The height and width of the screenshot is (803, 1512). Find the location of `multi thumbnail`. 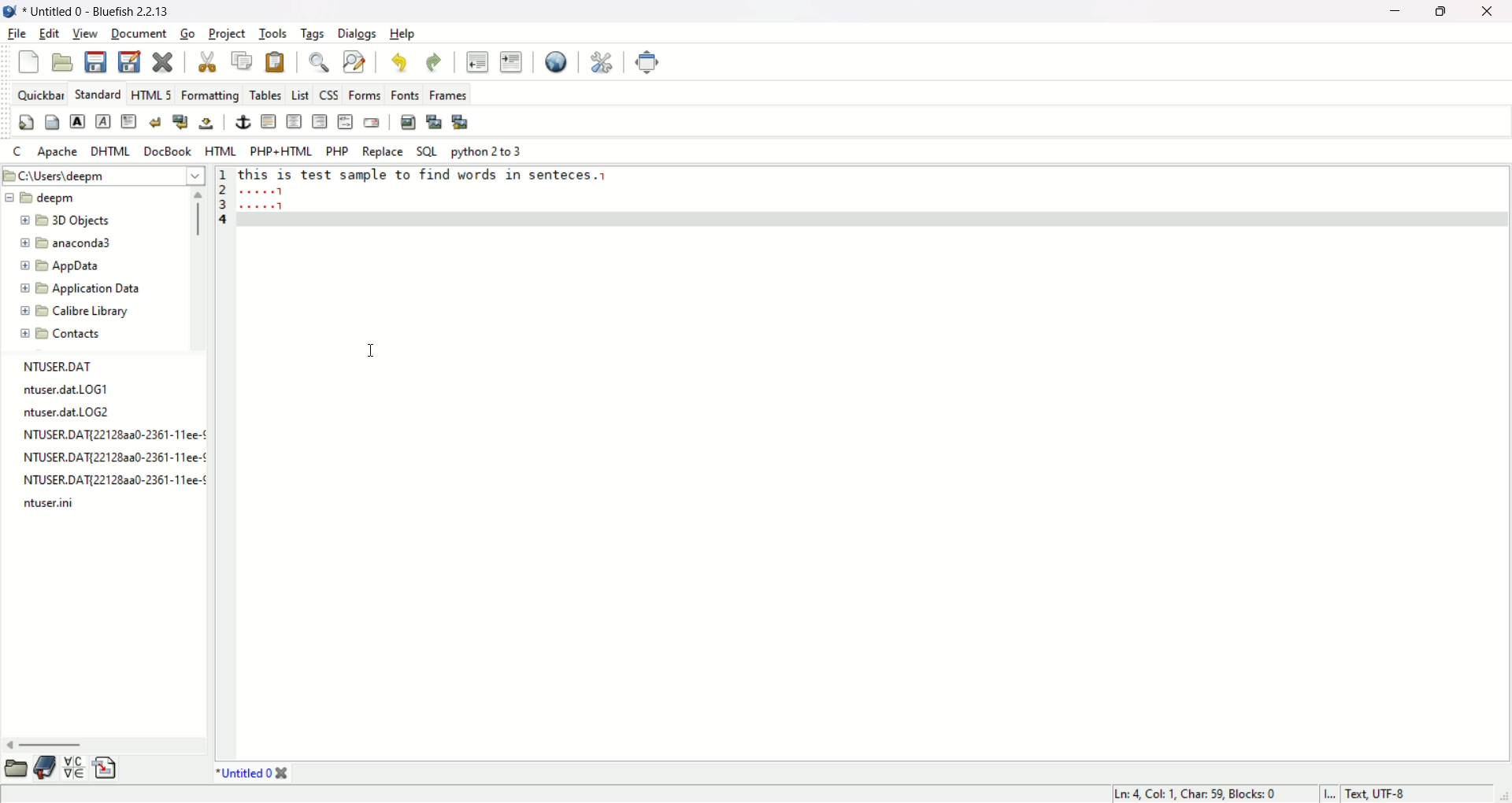

multi thumbnail is located at coordinates (462, 122).